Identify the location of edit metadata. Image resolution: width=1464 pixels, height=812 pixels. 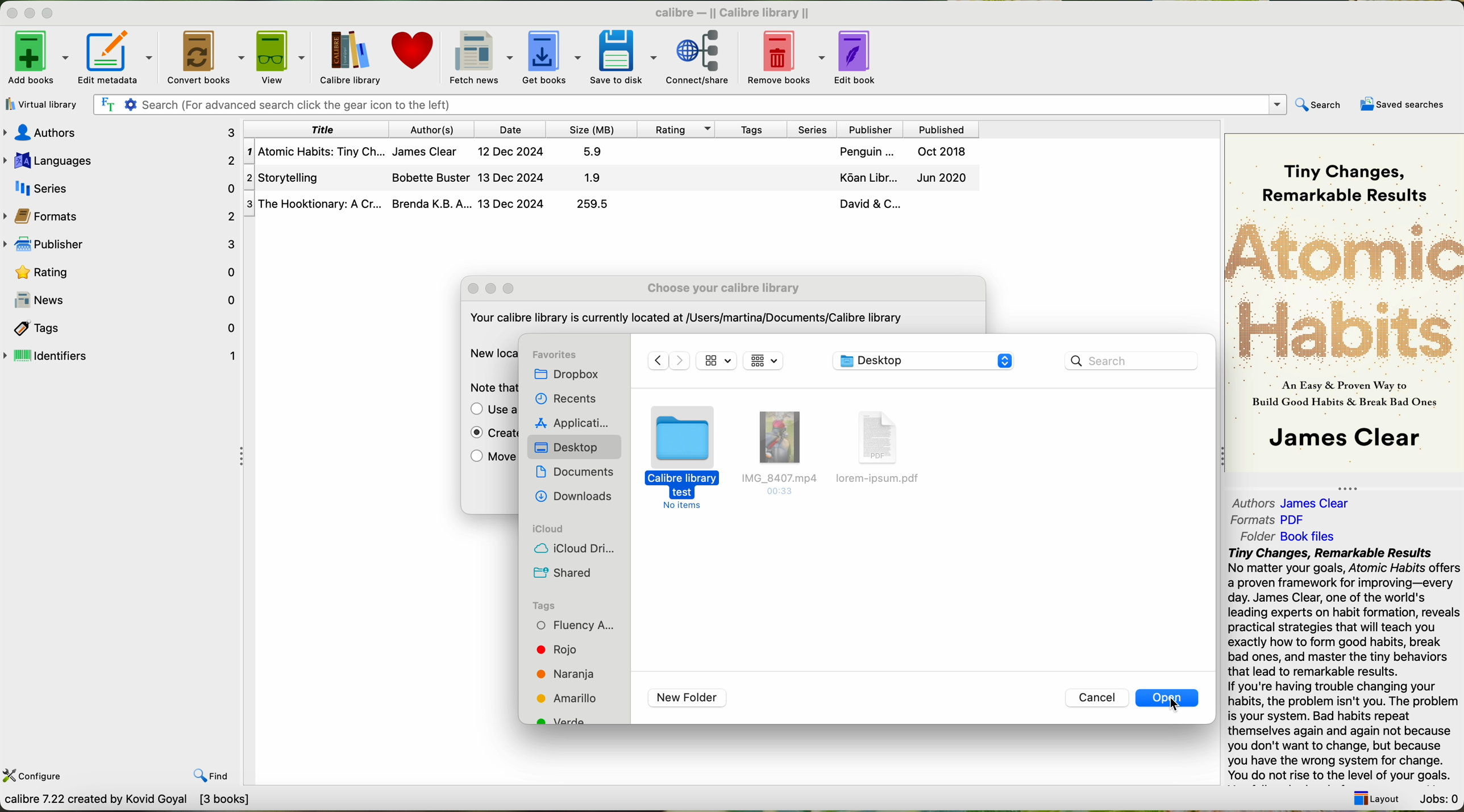
(120, 57).